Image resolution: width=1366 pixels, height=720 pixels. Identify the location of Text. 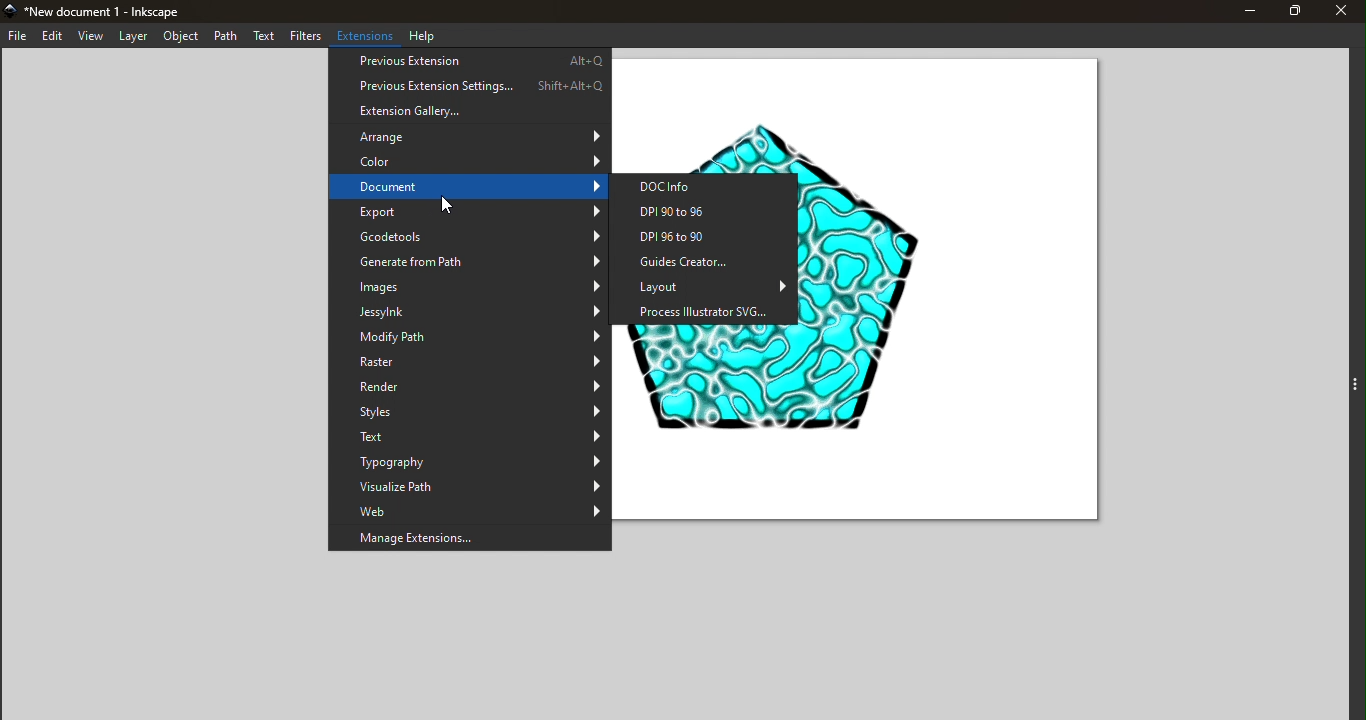
(265, 37).